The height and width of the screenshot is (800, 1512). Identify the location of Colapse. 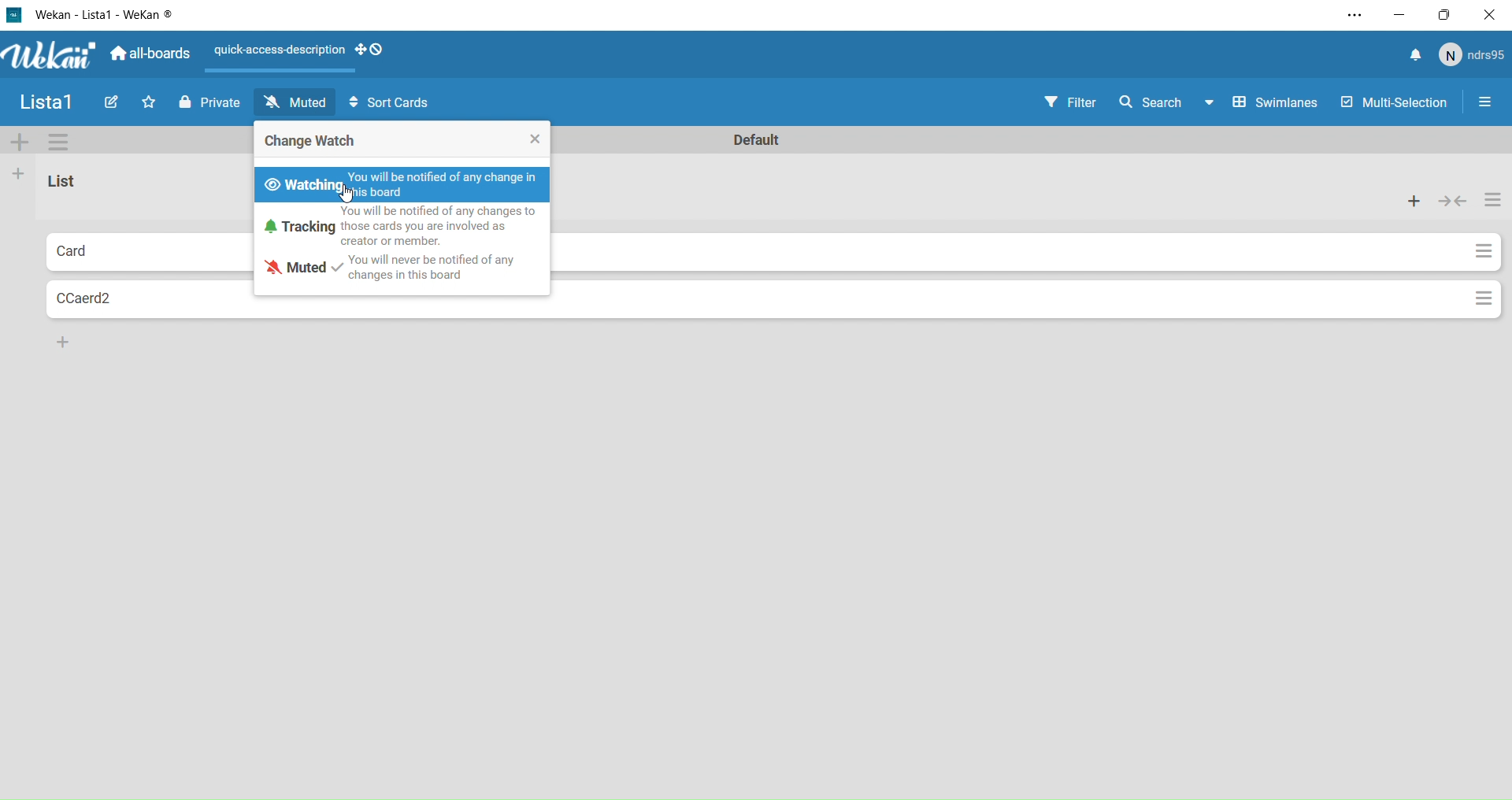
(1455, 201).